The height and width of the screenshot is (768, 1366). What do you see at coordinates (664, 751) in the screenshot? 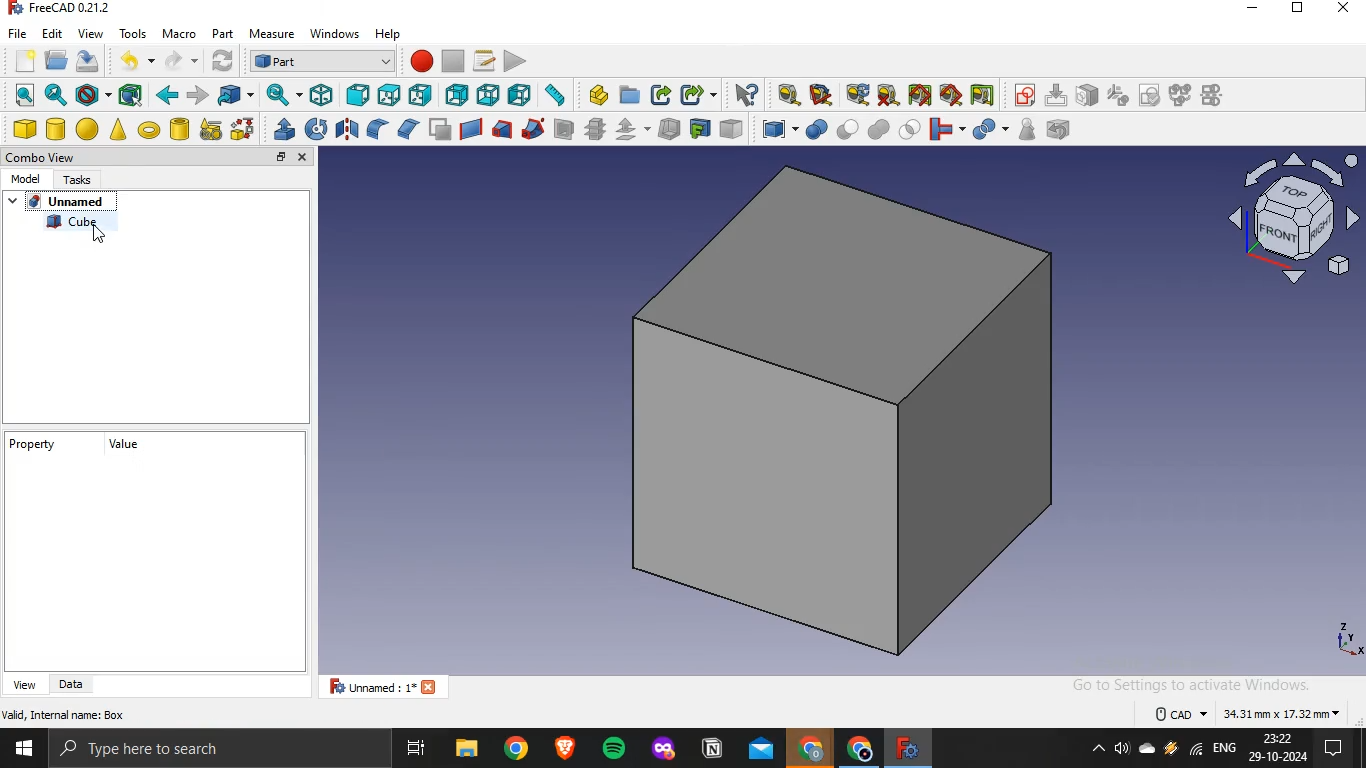
I see `mozilla firefox` at bounding box center [664, 751].